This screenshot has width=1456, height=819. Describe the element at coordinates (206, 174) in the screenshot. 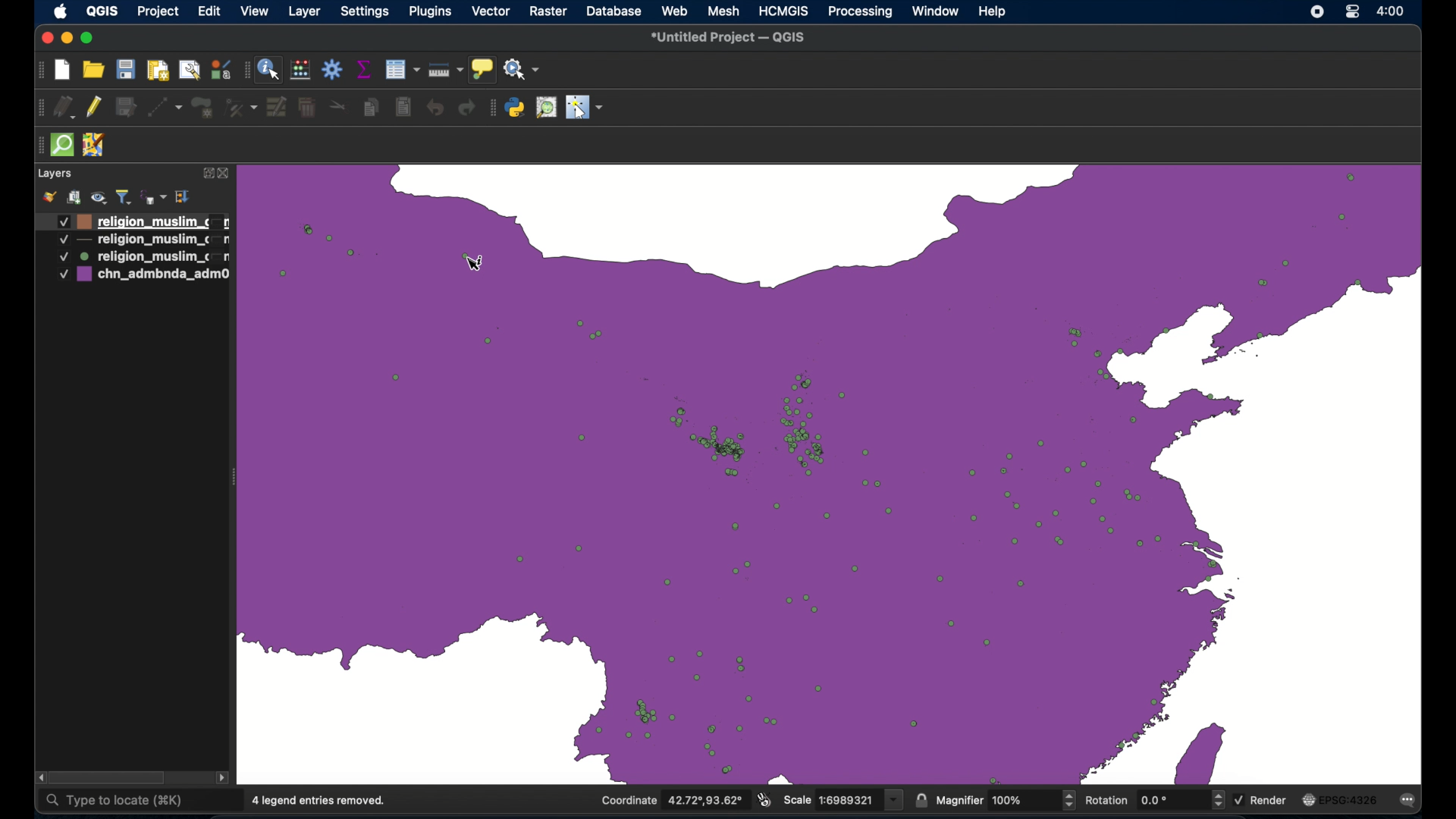

I see `expand` at that location.